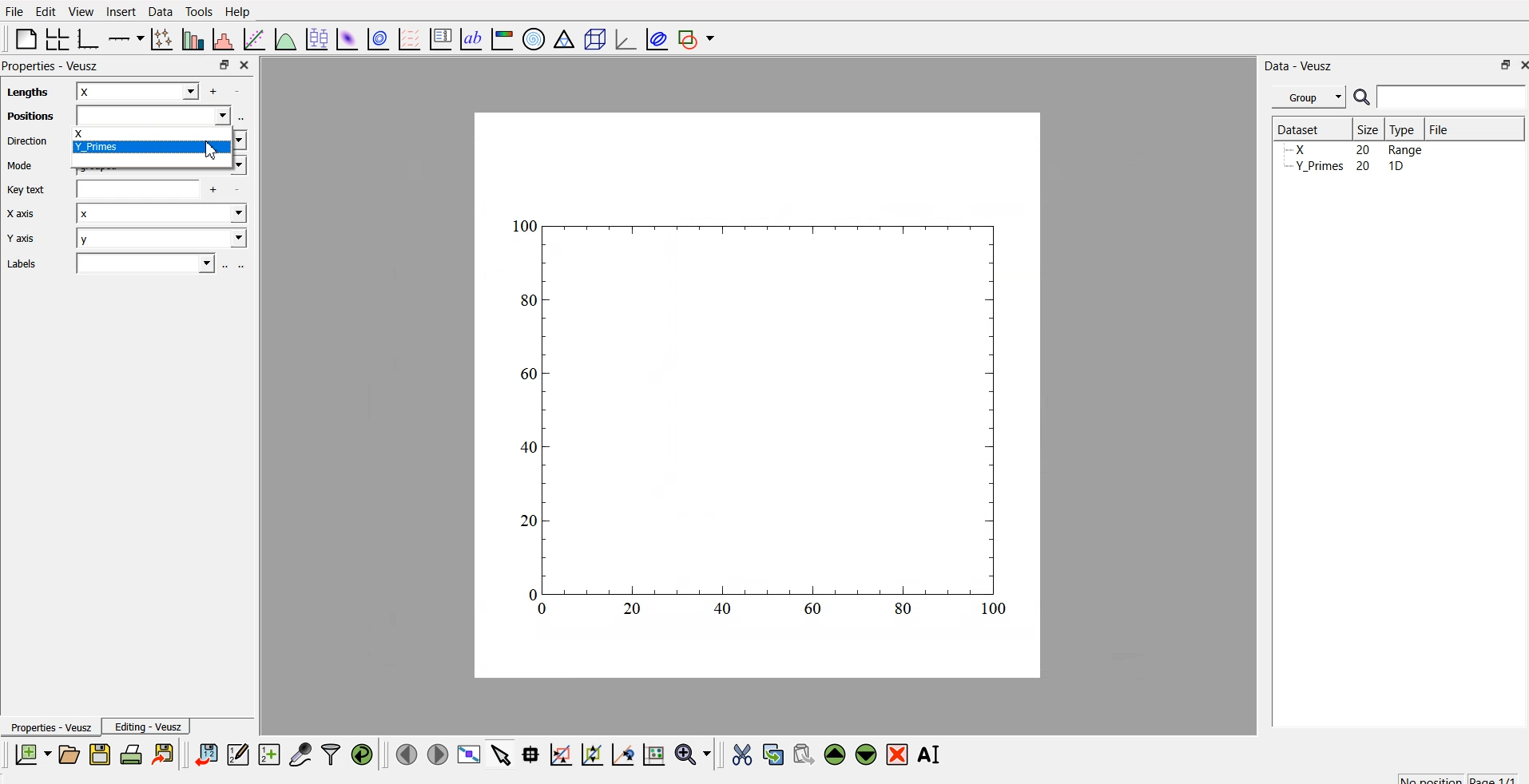 This screenshot has height=784, width=1529. I want to click on move to previous page, so click(404, 754).